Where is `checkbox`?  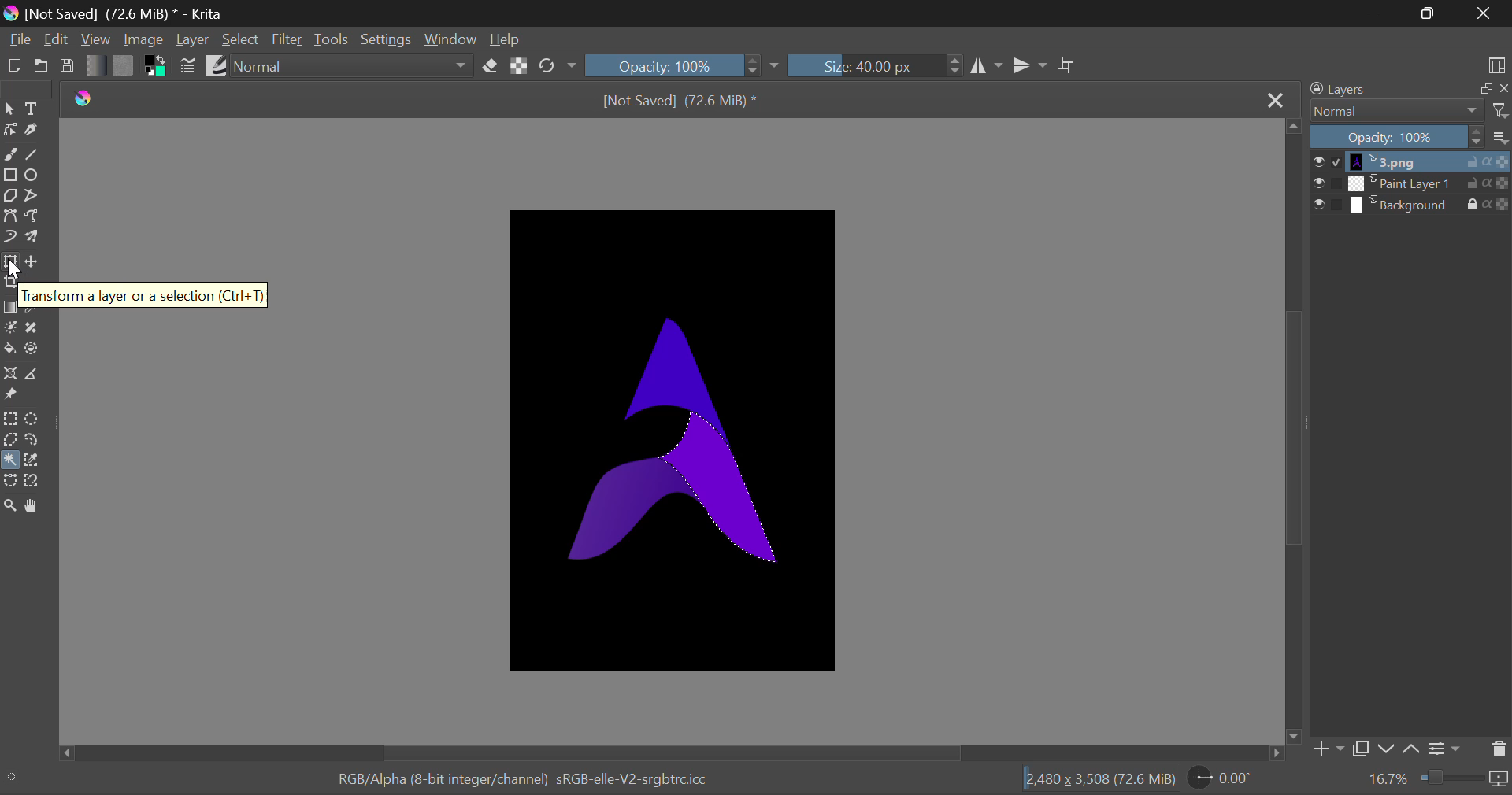 checkbox is located at coordinates (1328, 162).